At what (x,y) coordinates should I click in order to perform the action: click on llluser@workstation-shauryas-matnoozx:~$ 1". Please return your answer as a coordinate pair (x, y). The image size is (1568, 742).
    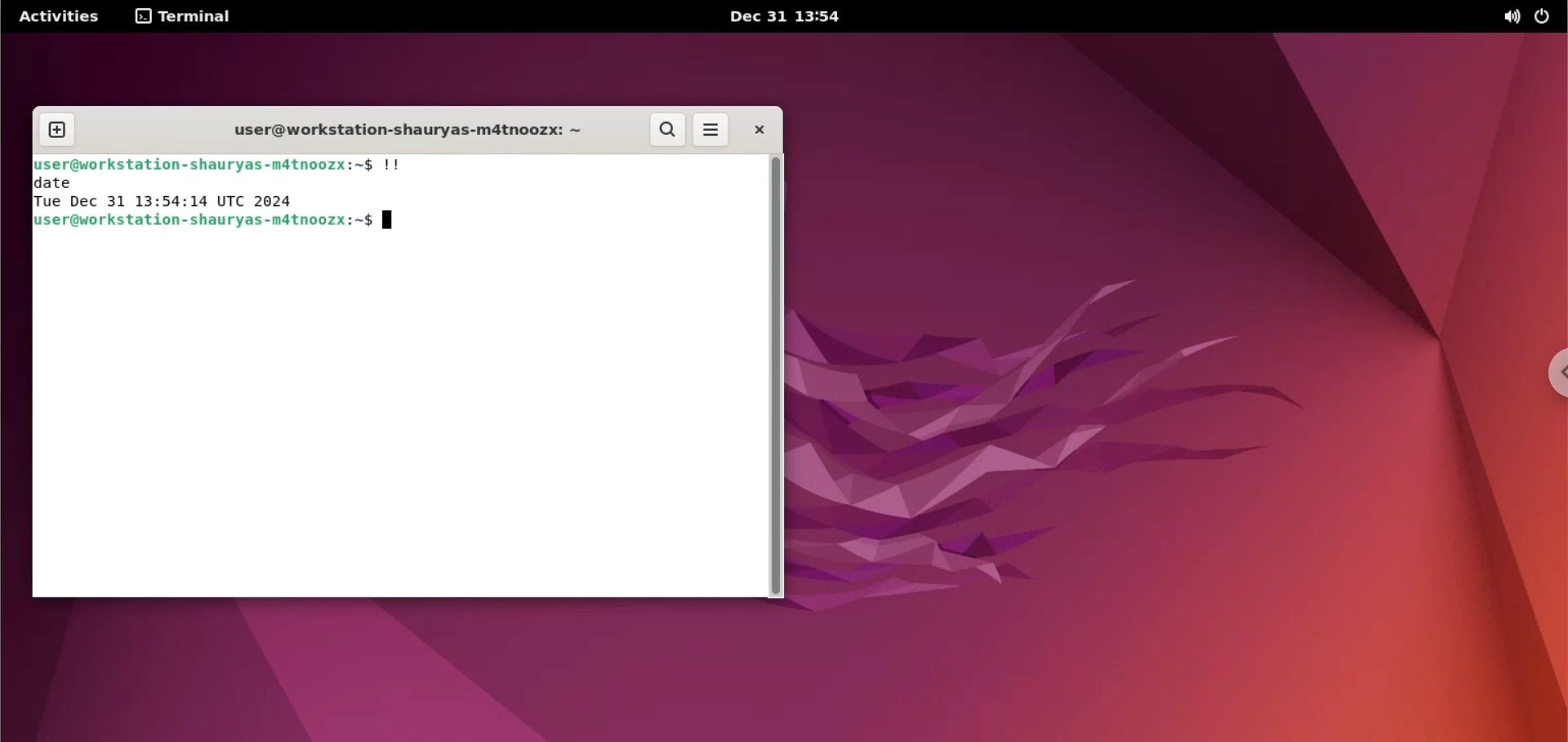
    Looking at the image, I should click on (229, 164).